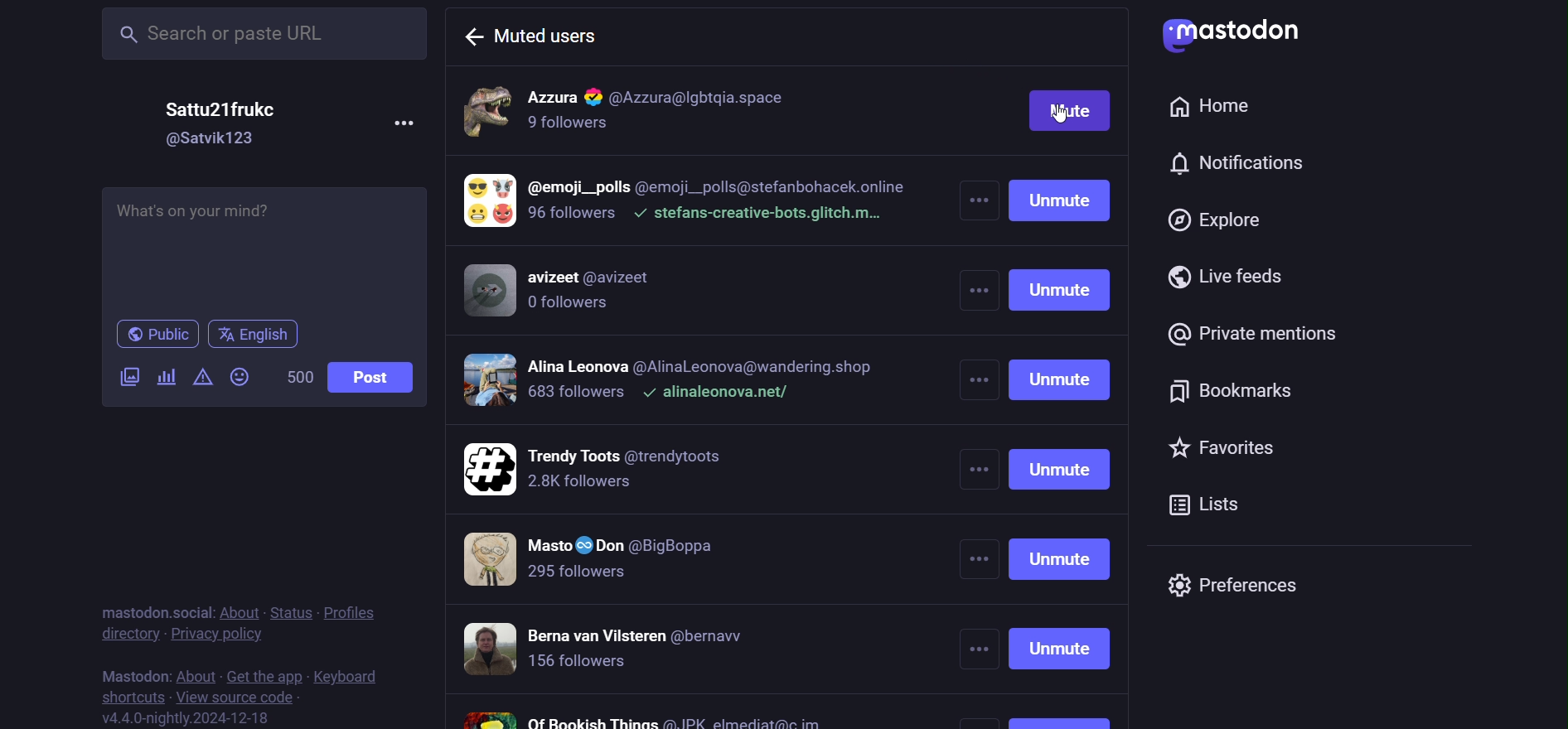 The width and height of the screenshot is (1568, 729). What do you see at coordinates (289, 611) in the screenshot?
I see `status` at bounding box center [289, 611].